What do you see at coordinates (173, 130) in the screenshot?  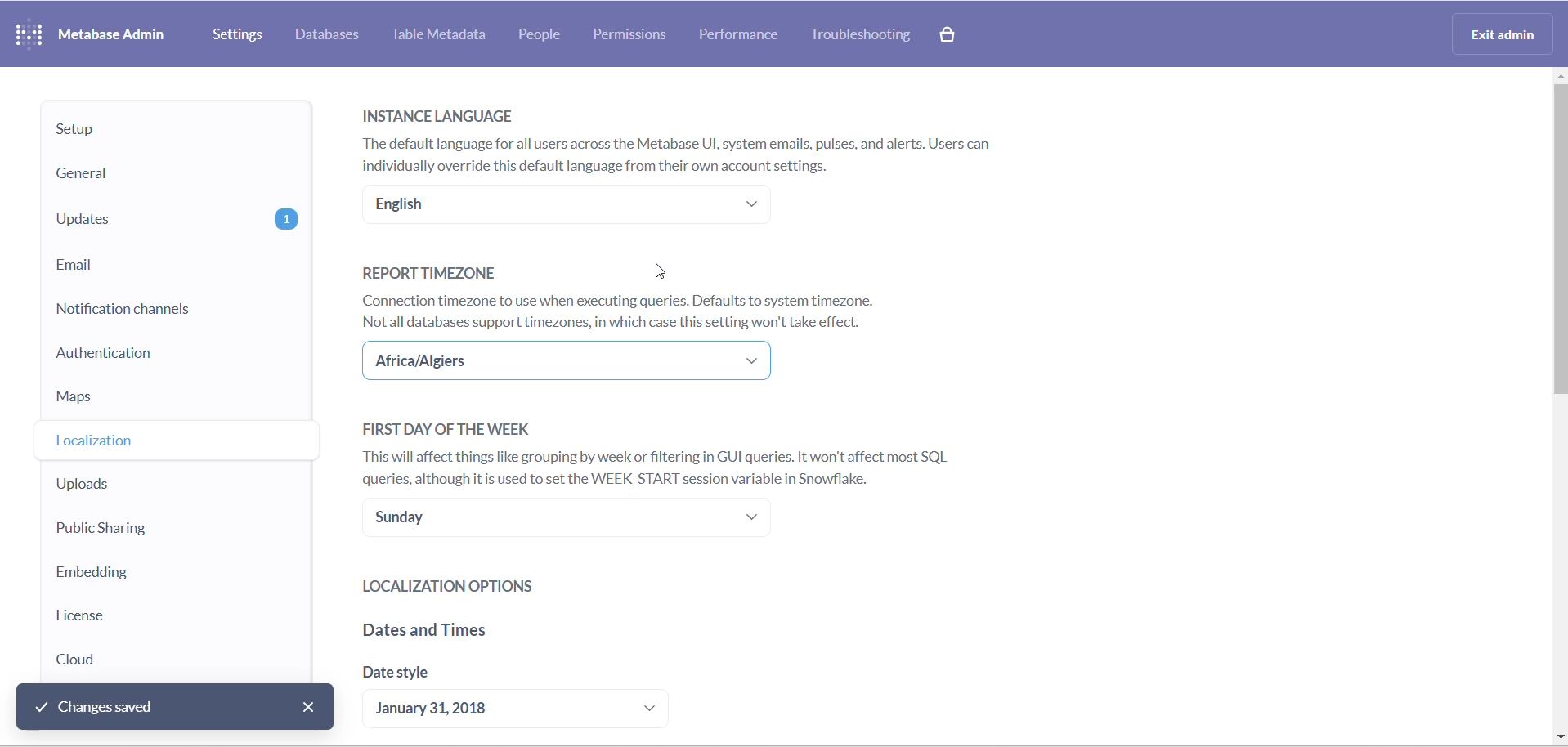 I see `SETUP` at bounding box center [173, 130].